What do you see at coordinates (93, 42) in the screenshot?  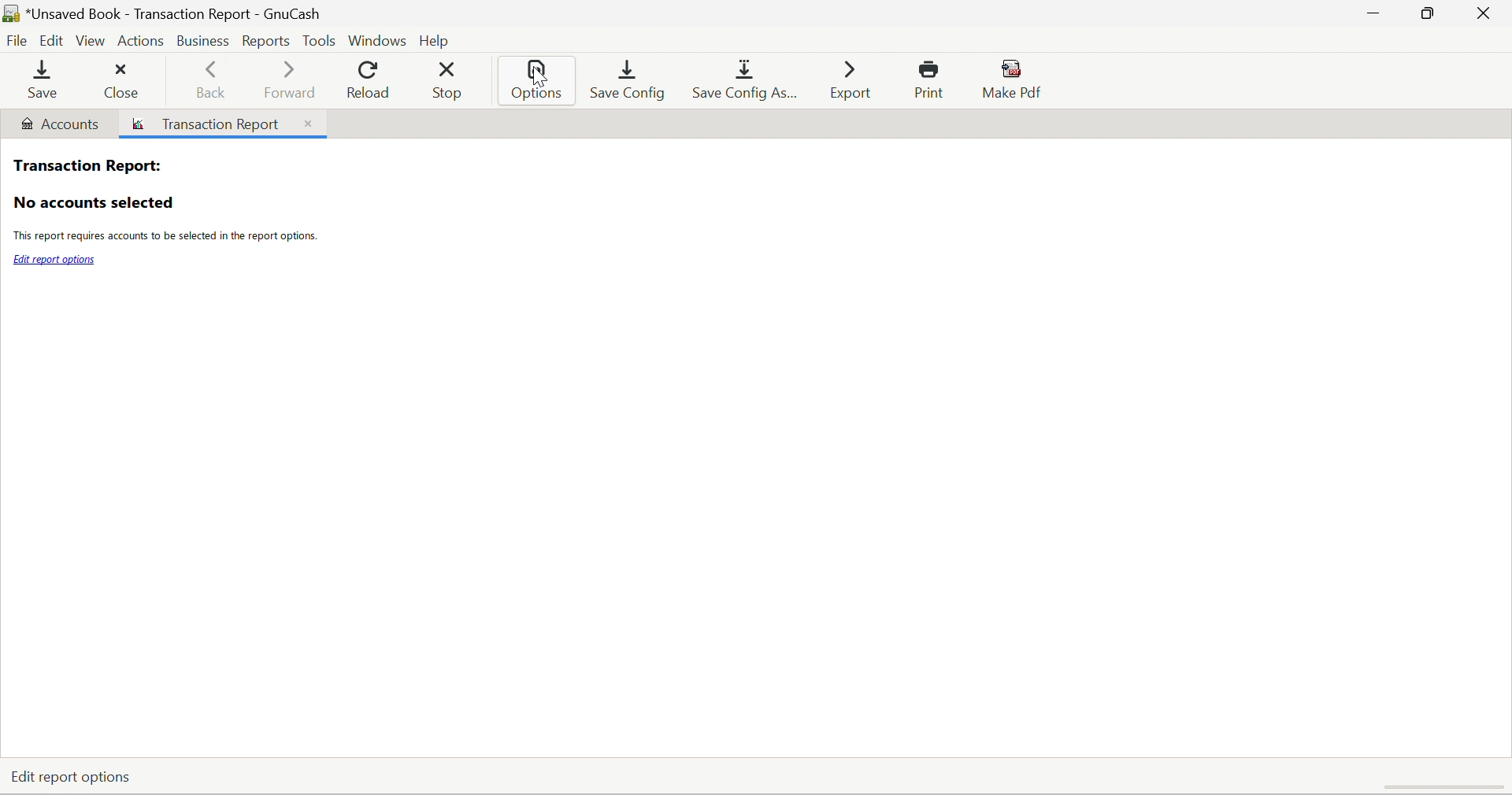 I see `View` at bounding box center [93, 42].